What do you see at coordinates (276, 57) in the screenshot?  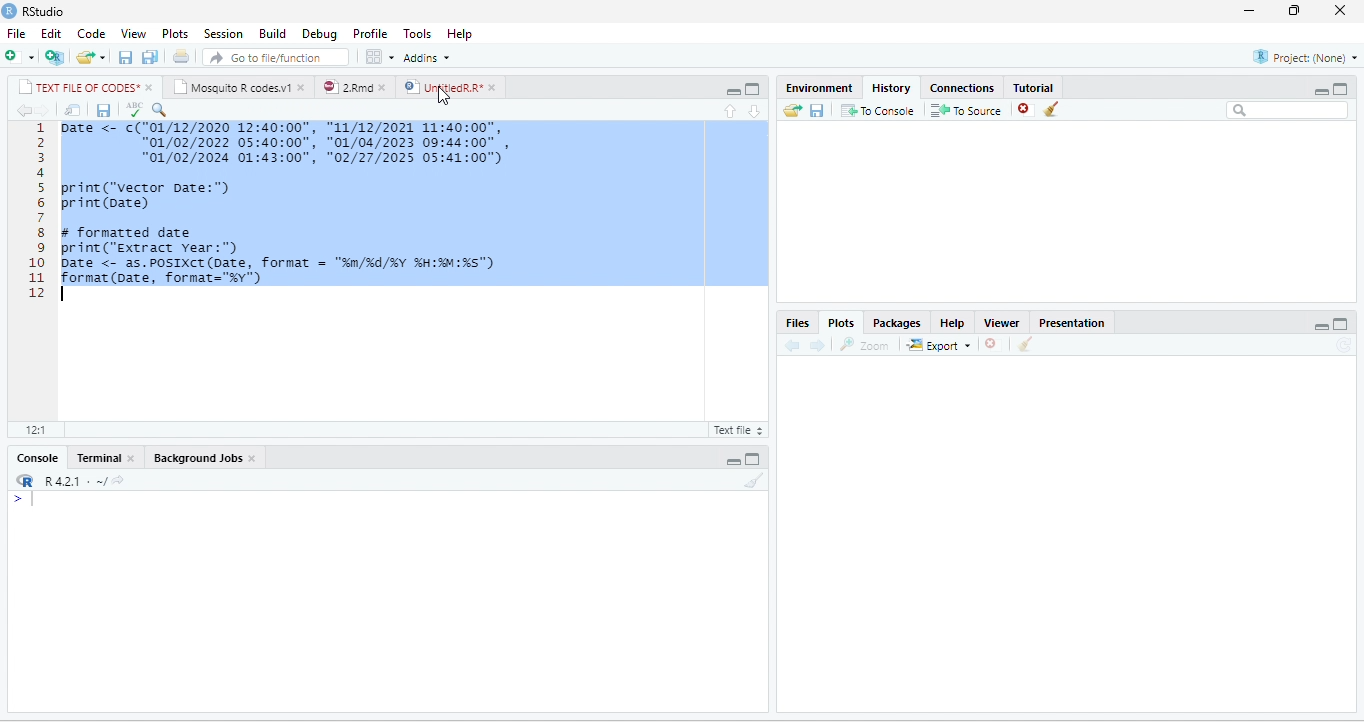 I see `search file` at bounding box center [276, 57].